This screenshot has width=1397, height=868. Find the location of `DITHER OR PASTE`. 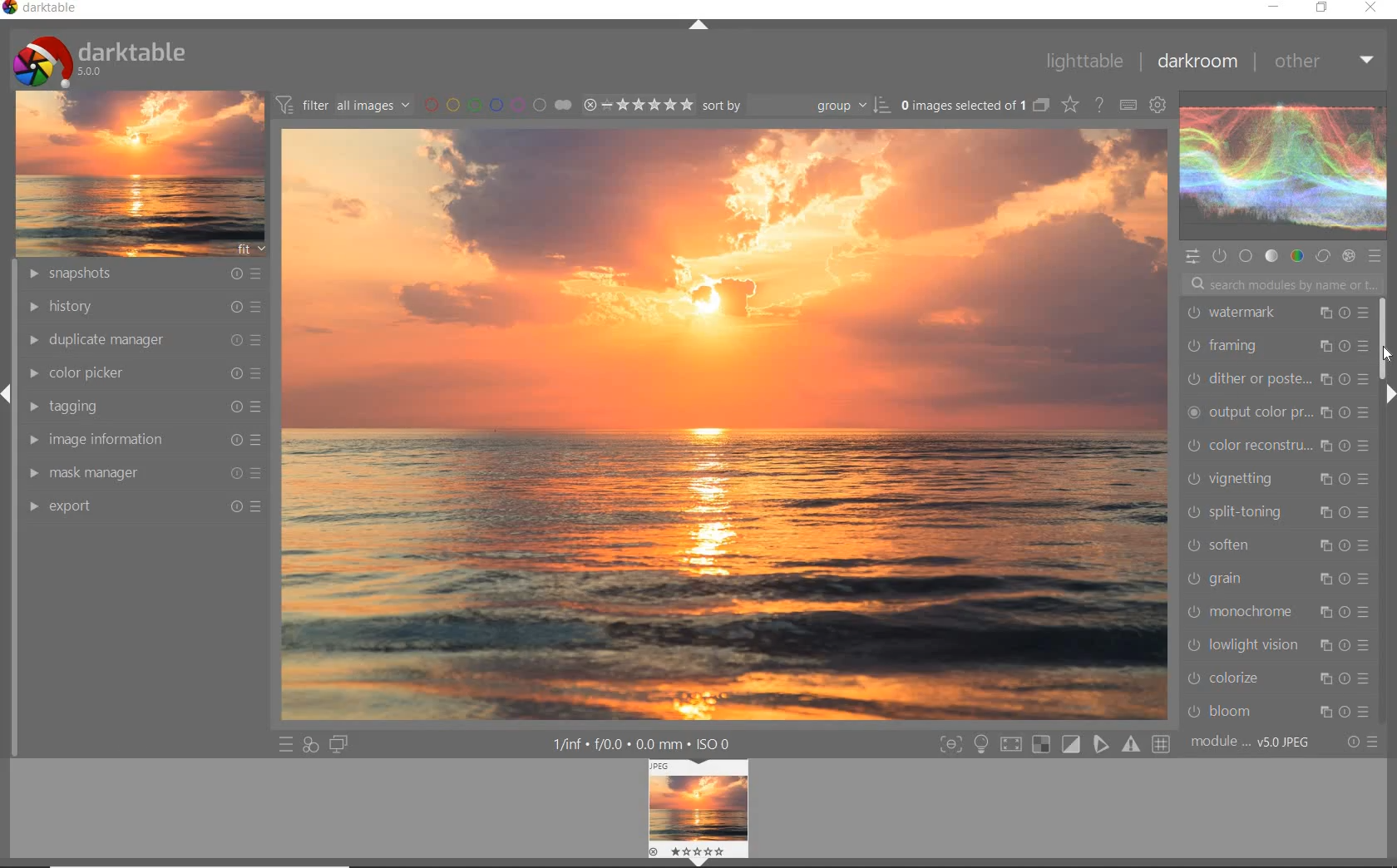

DITHER OR PASTE is located at coordinates (1277, 377).